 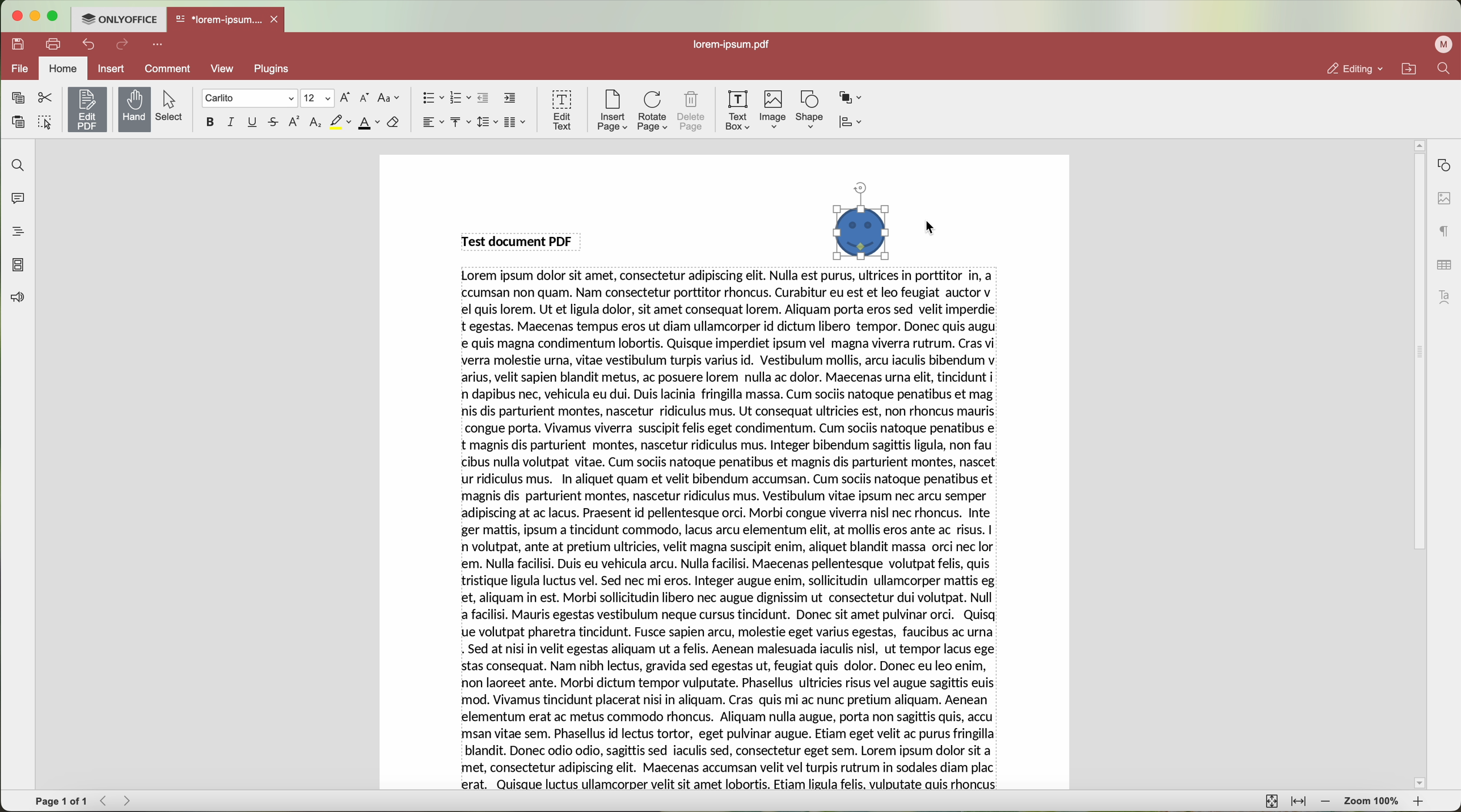 I want to click on underline, so click(x=253, y=122).